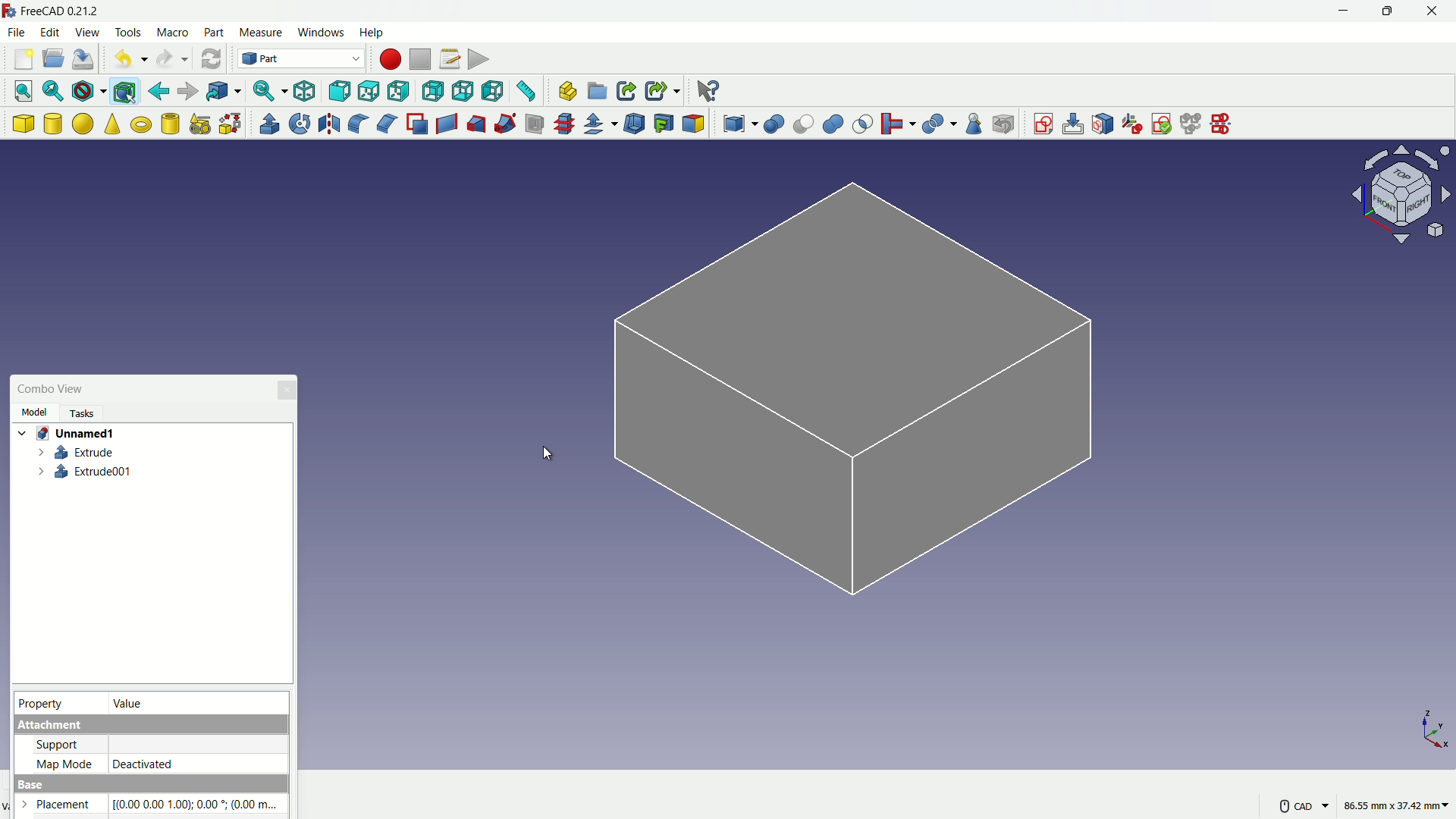 The height and width of the screenshot is (819, 1456). What do you see at coordinates (1191, 123) in the screenshot?
I see `merge sketch` at bounding box center [1191, 123].